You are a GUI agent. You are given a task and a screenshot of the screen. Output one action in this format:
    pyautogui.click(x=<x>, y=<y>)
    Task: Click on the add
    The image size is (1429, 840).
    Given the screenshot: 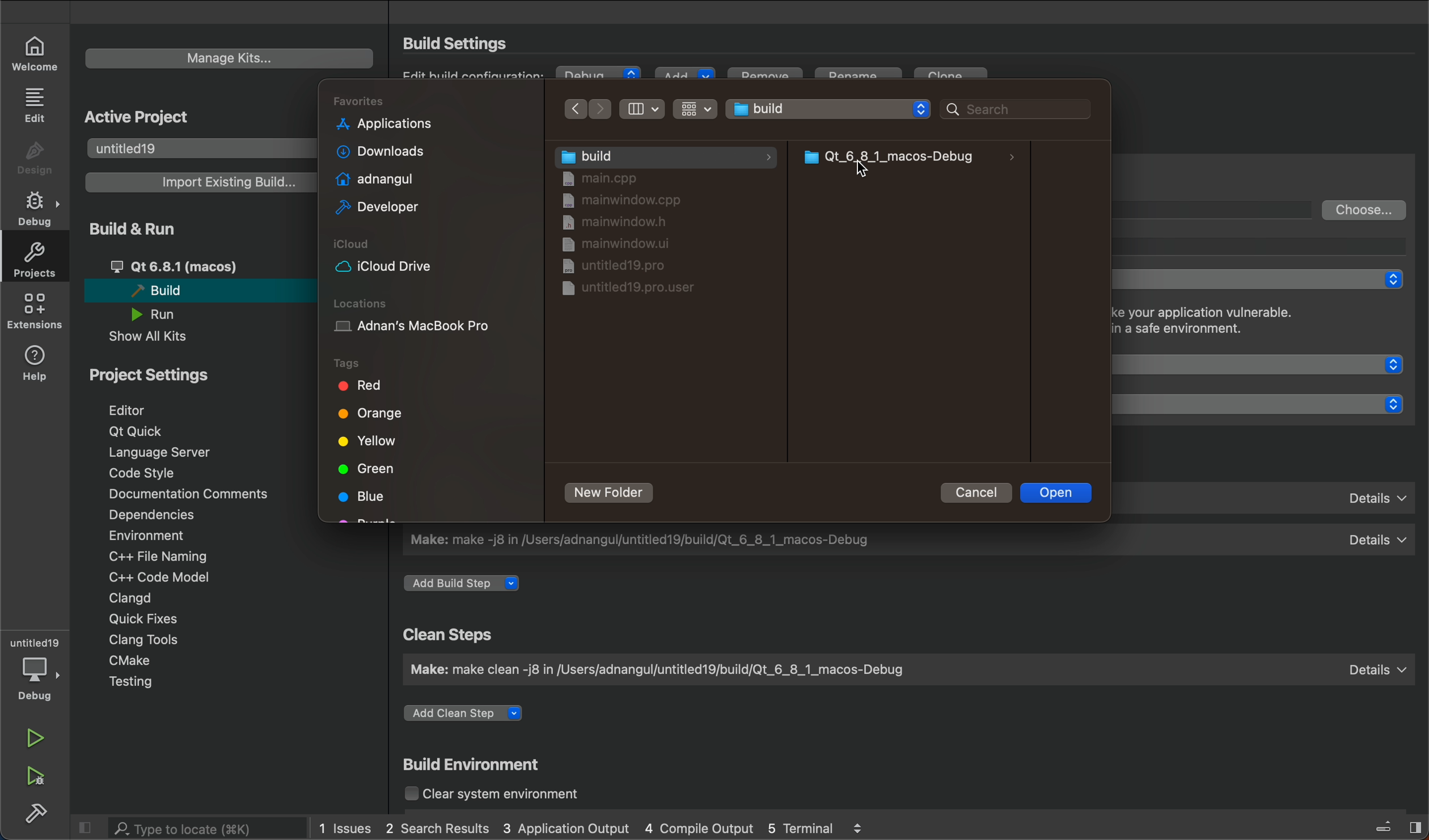 What is the action you would take?
    pyautogui.click(x=683, y=75)
    